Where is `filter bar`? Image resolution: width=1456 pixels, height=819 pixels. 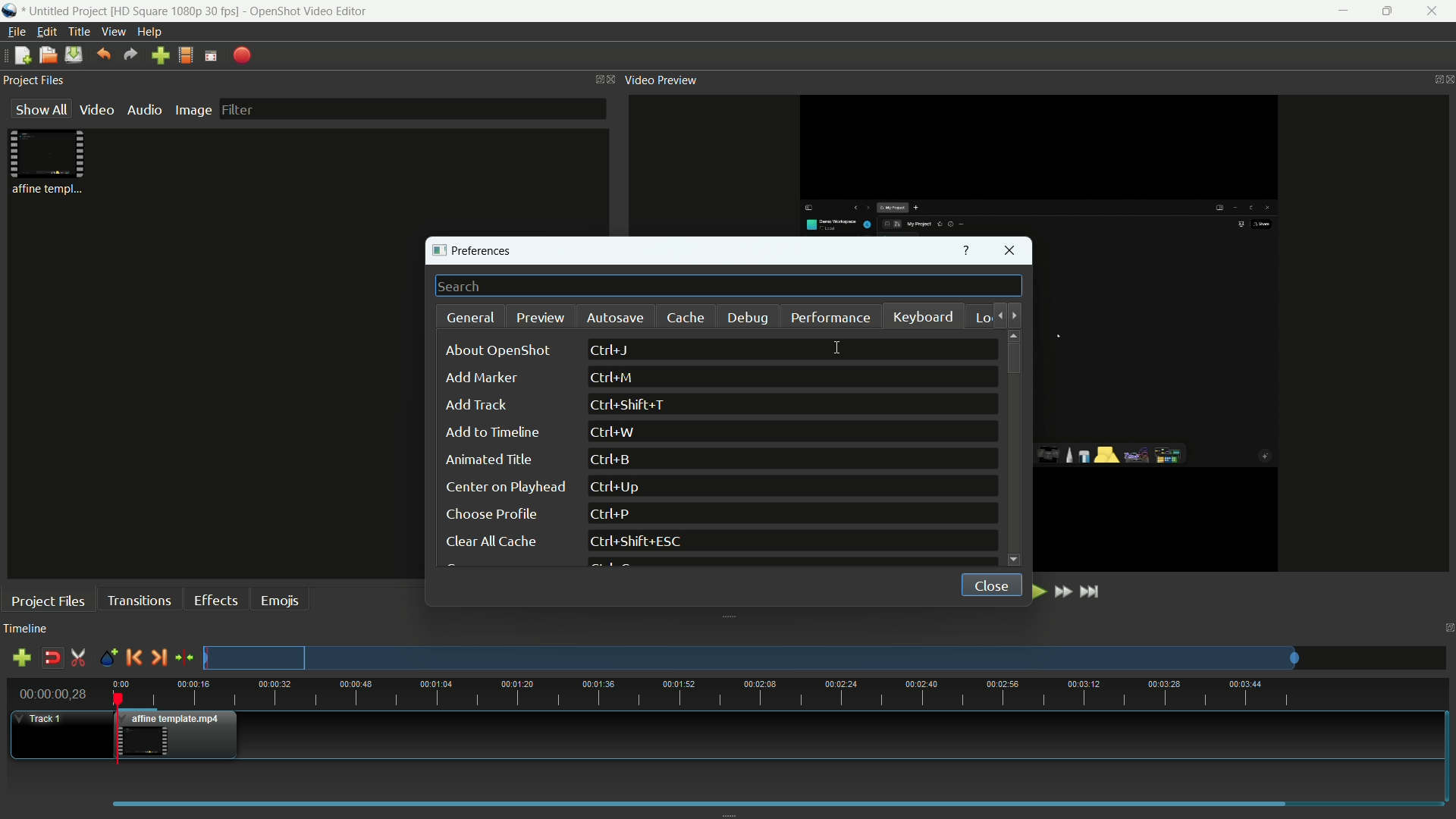
filter bar is located at coordinates (411, 108).